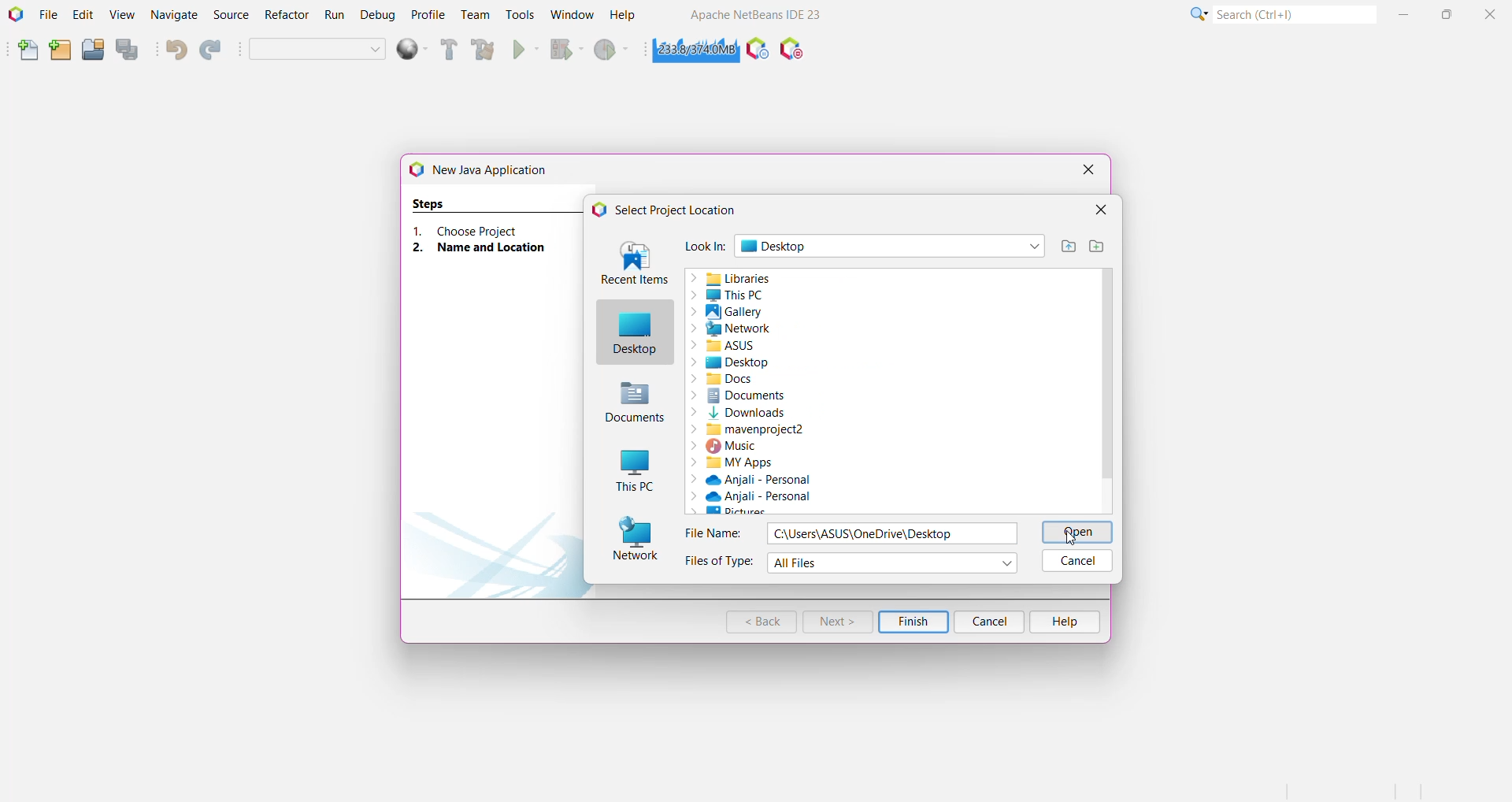 The width and height of the screenshot is (1512, 802). I want to click on Cancel, so click(1077, 562).